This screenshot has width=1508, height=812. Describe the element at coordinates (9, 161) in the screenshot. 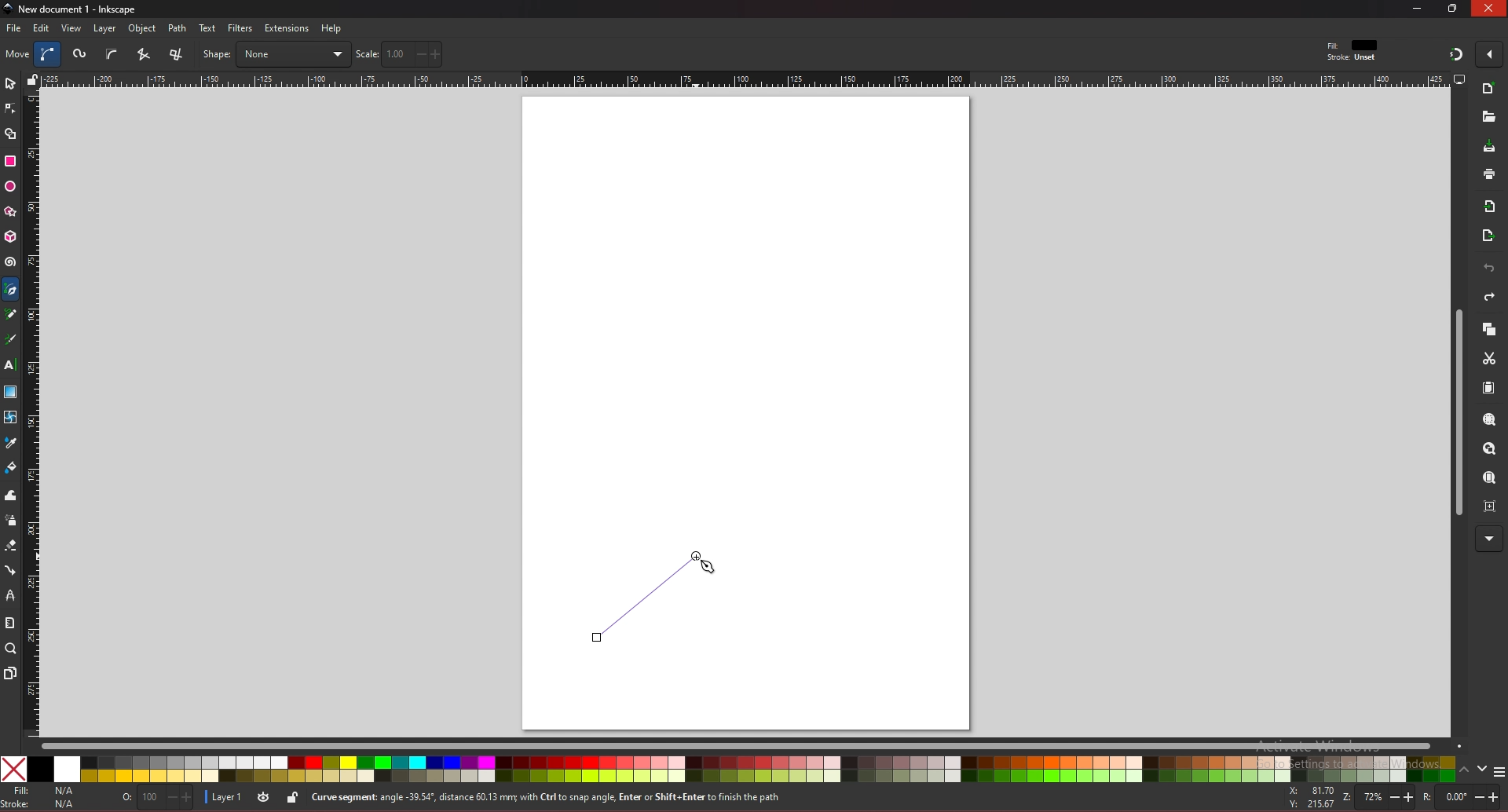

I see `rectangle` at that location.